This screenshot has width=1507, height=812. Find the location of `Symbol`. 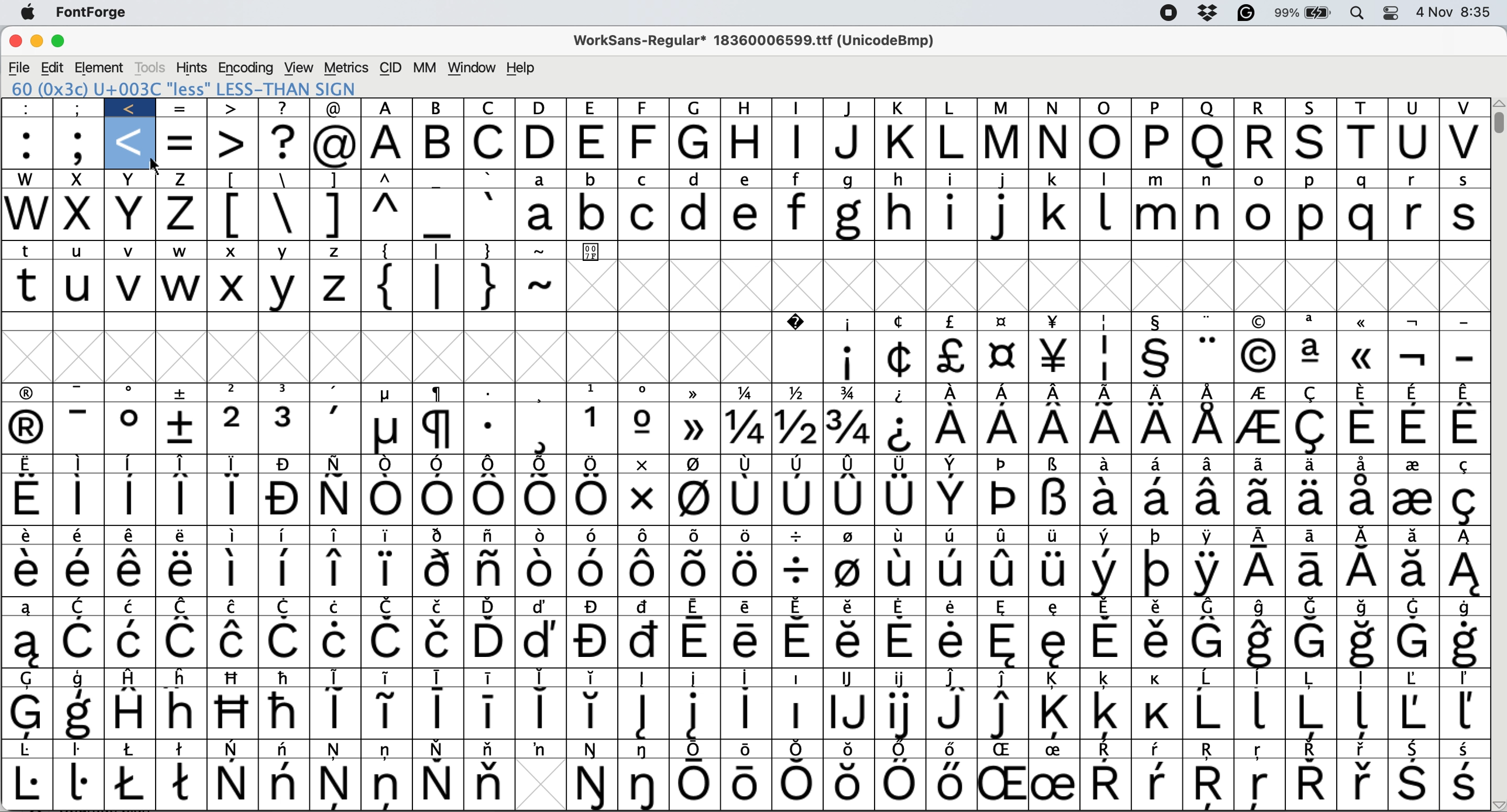

Symbol is located at coordinates (696, 713).